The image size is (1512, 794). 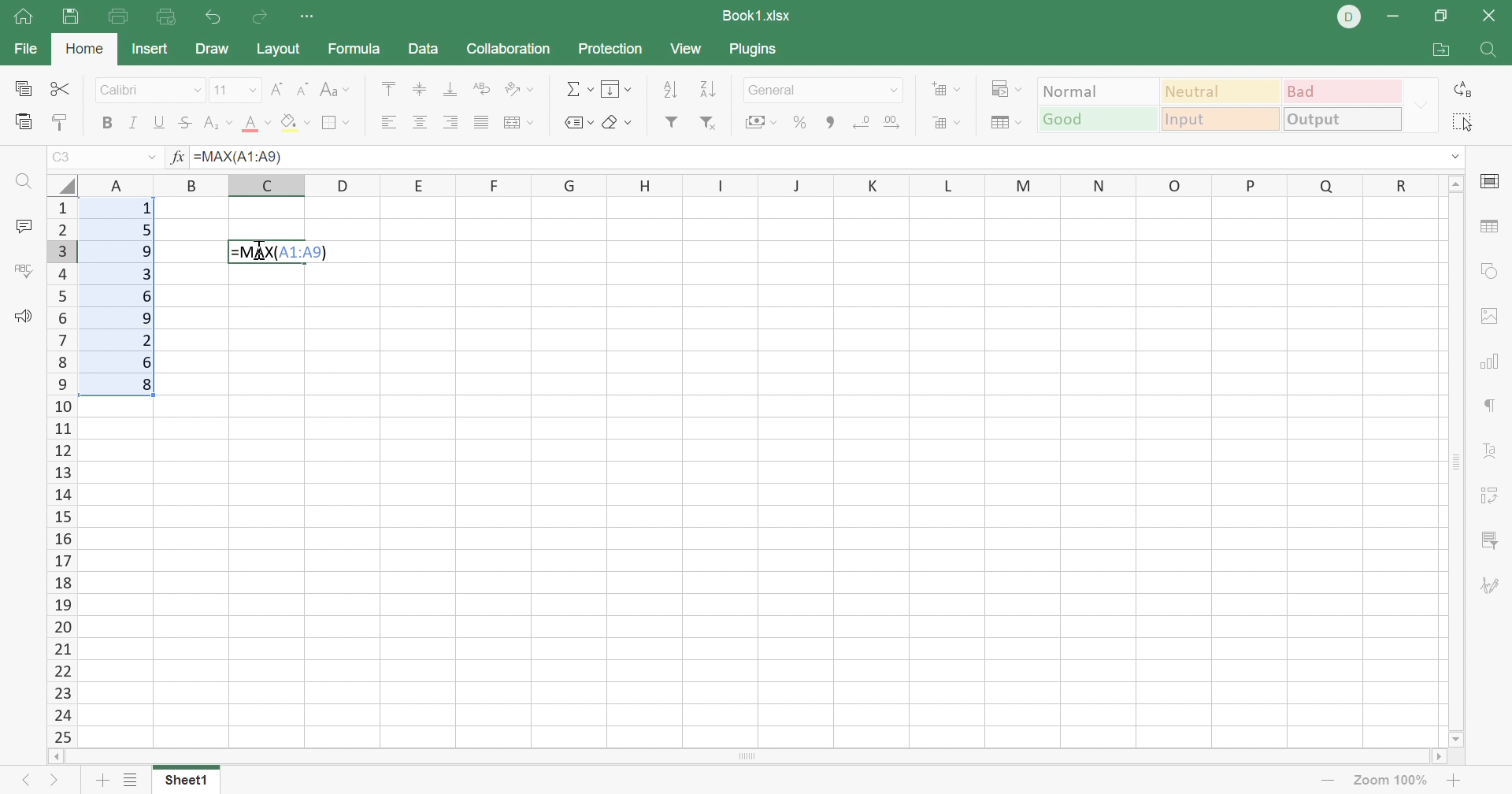 What do you see at coordinates (187, 782) in the screenshot?
I see `Sheet1` at bounding box center [187, 782].